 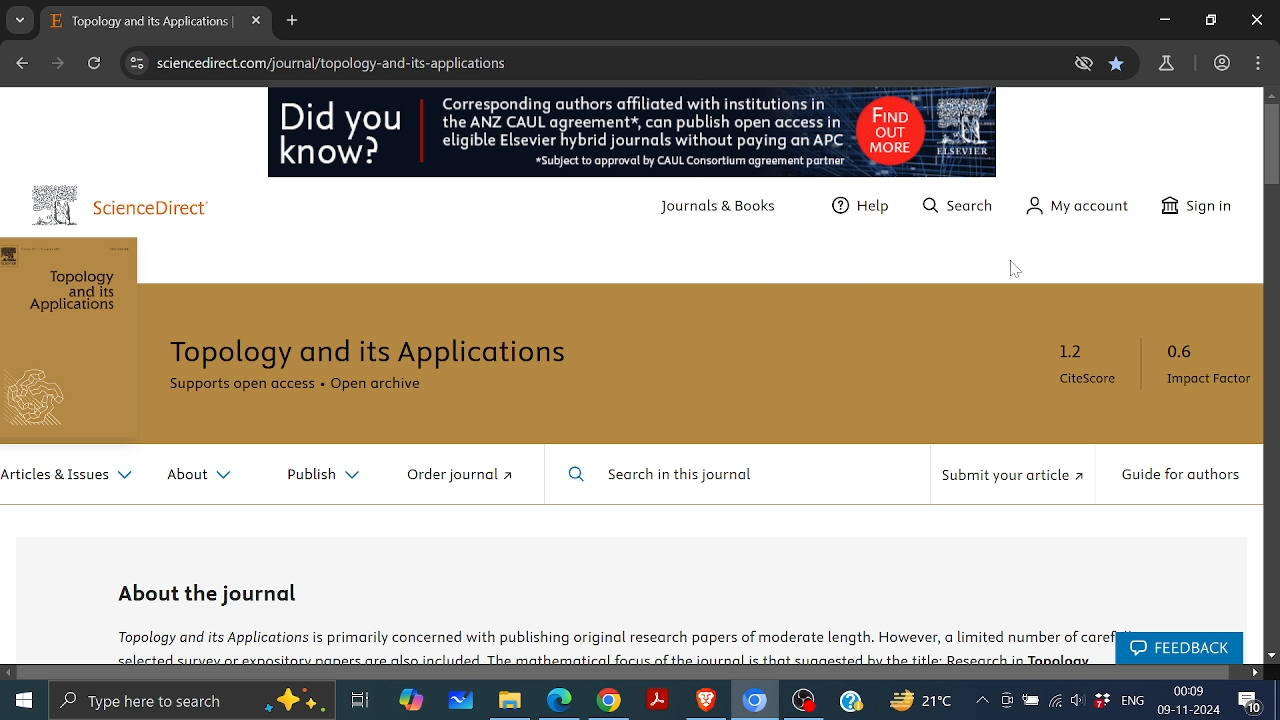 What do you see at coordinates (1005, 699) in the screenshot?
I see `Meet Now` at bounding box center [1005, 699].